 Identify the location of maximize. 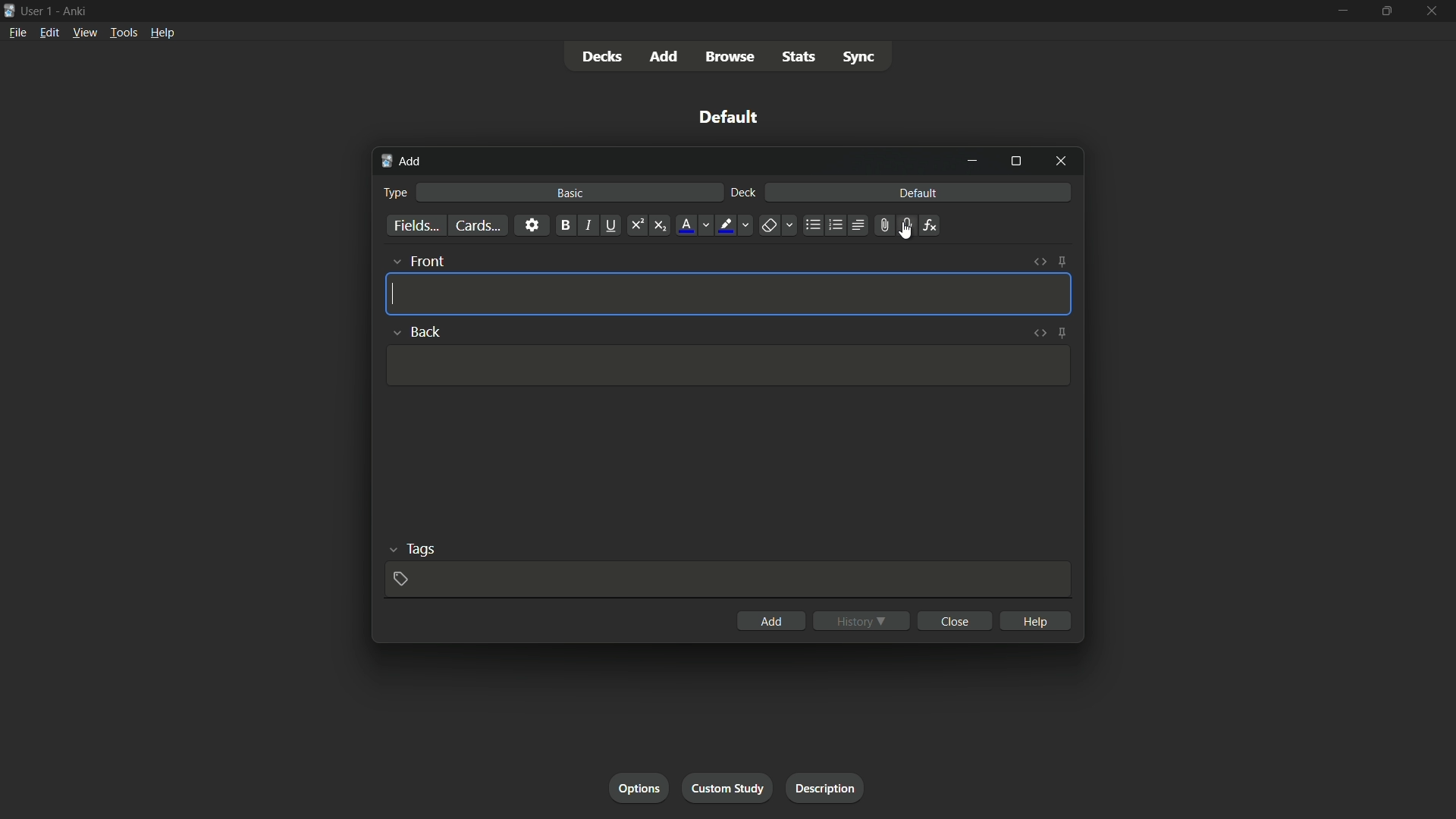
(1387, 11).